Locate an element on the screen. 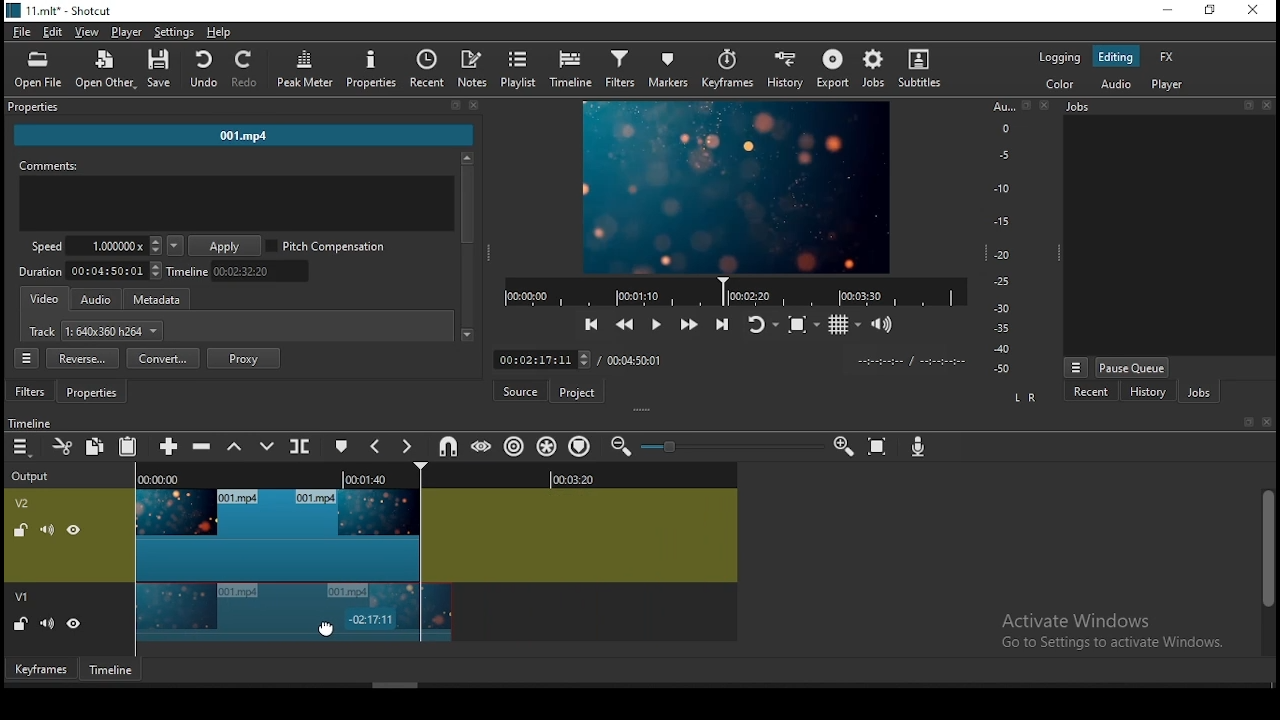  open other is located at coordinates (100, 67).